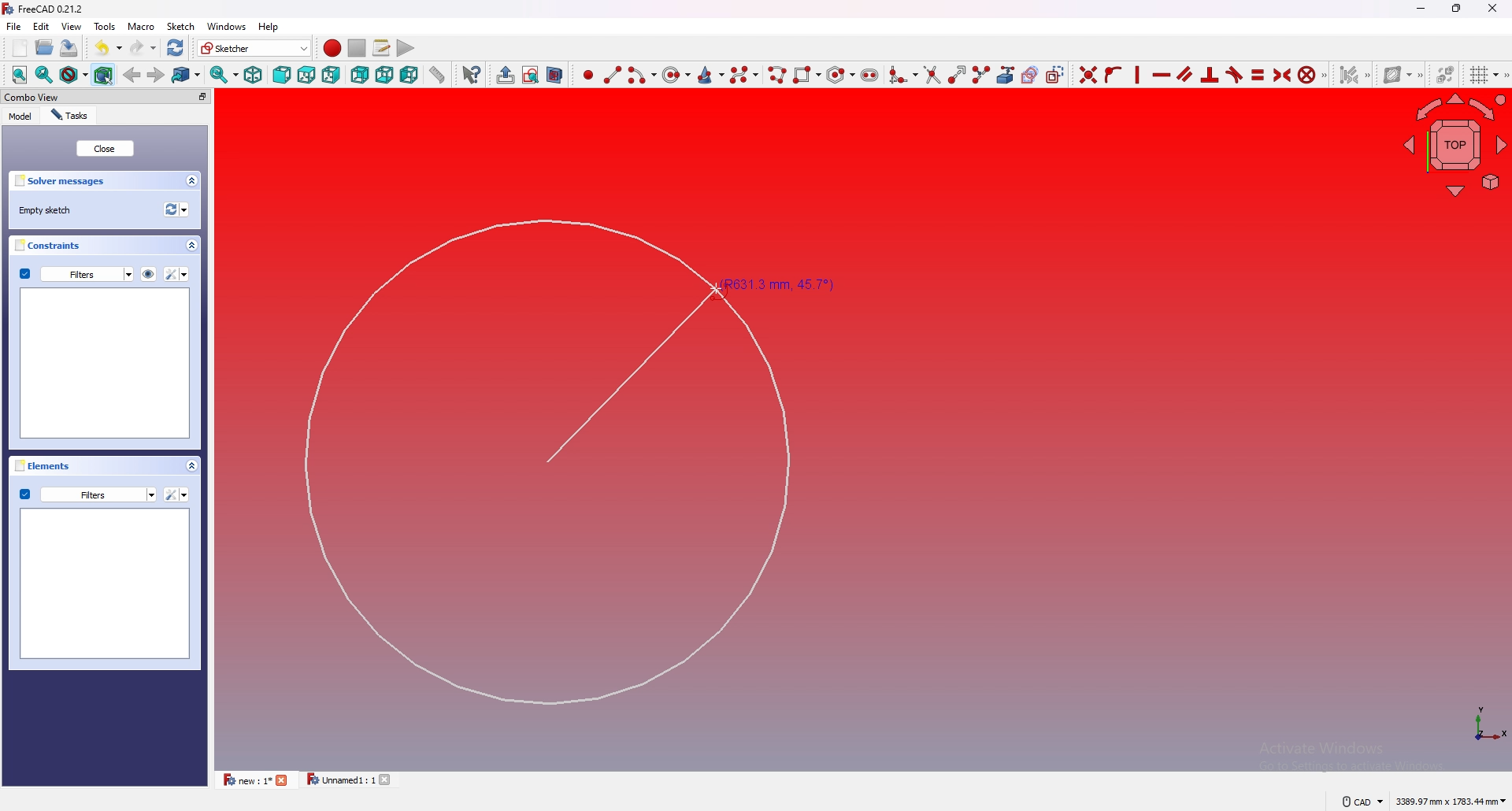 The height and width of the screenshot is (811, 1512). I want to click on edit, so click(44, 26).